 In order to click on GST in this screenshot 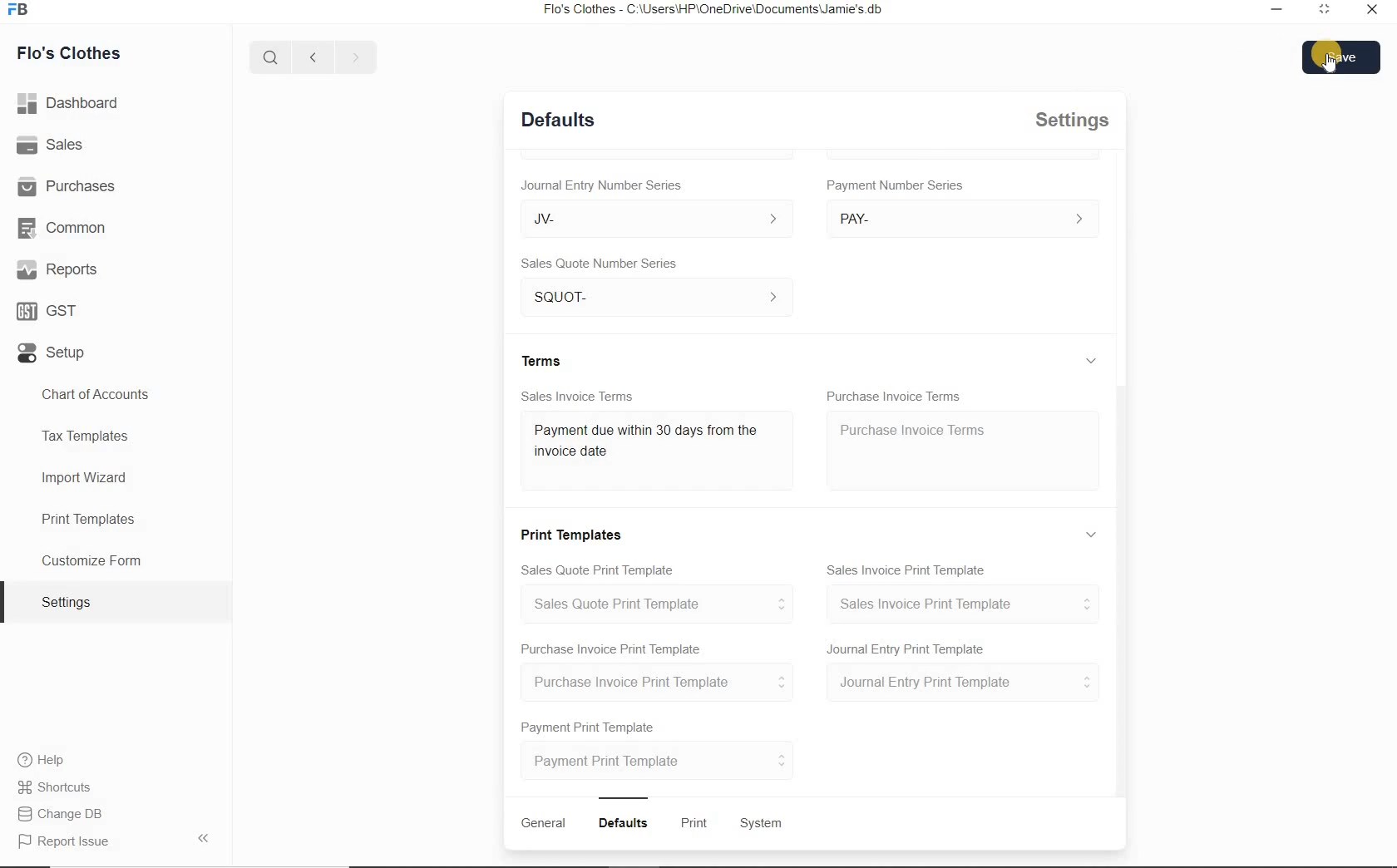, I will do `click(48, 311)`.